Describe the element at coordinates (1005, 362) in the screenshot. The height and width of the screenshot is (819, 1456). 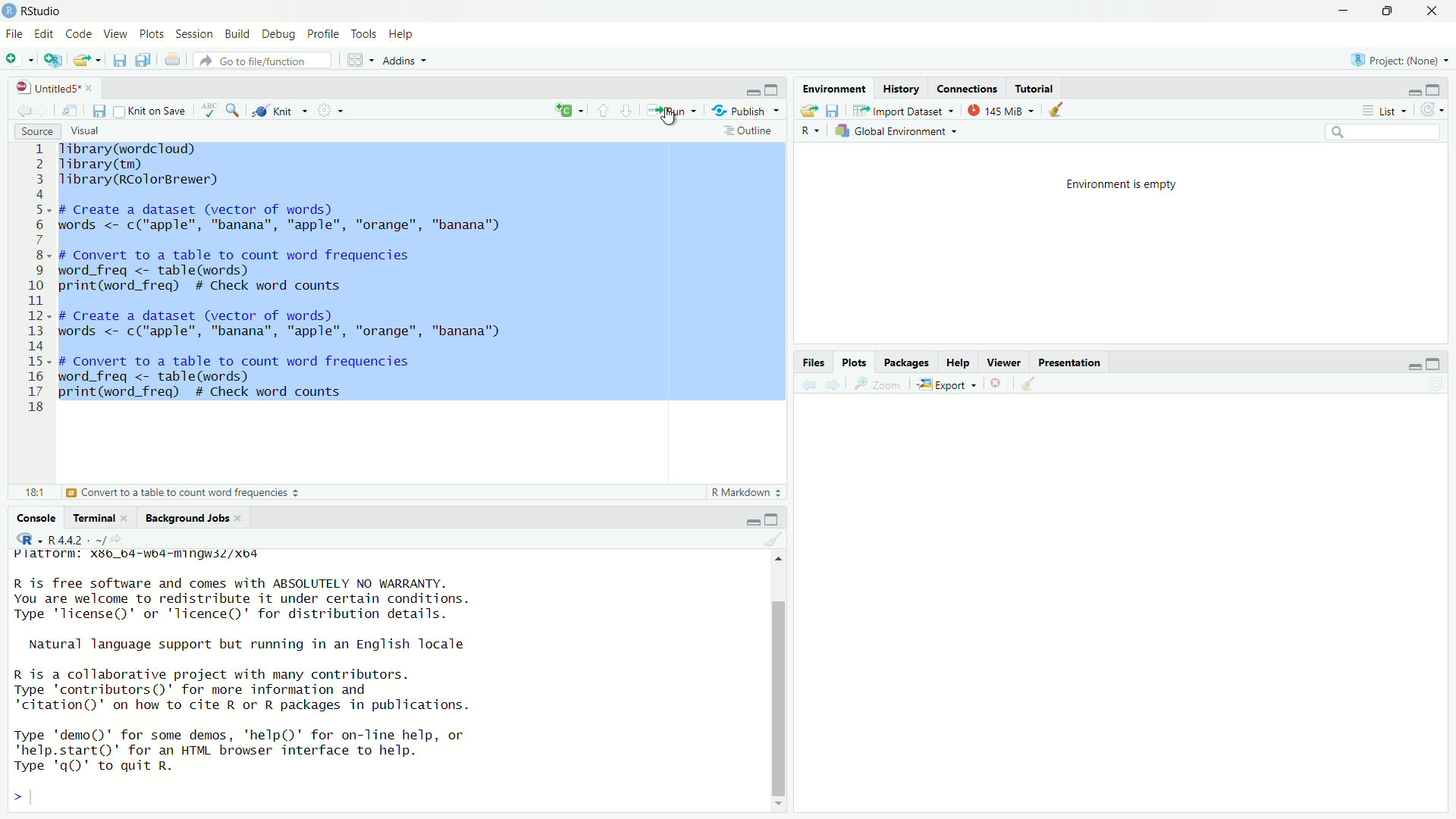
I see `Viewer` at that location.